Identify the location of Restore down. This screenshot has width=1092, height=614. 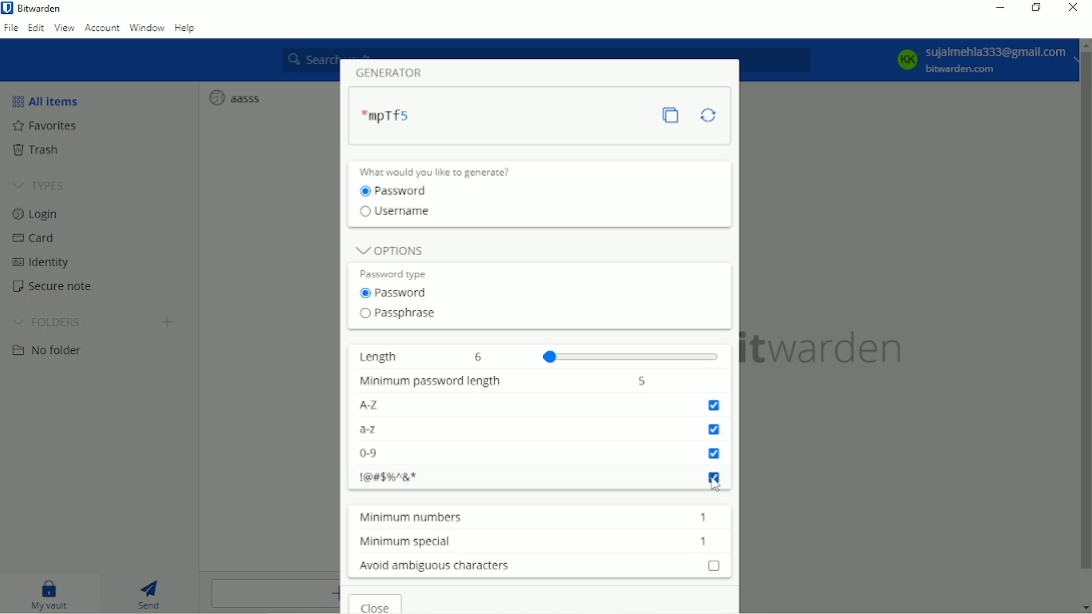
(1037, 7).